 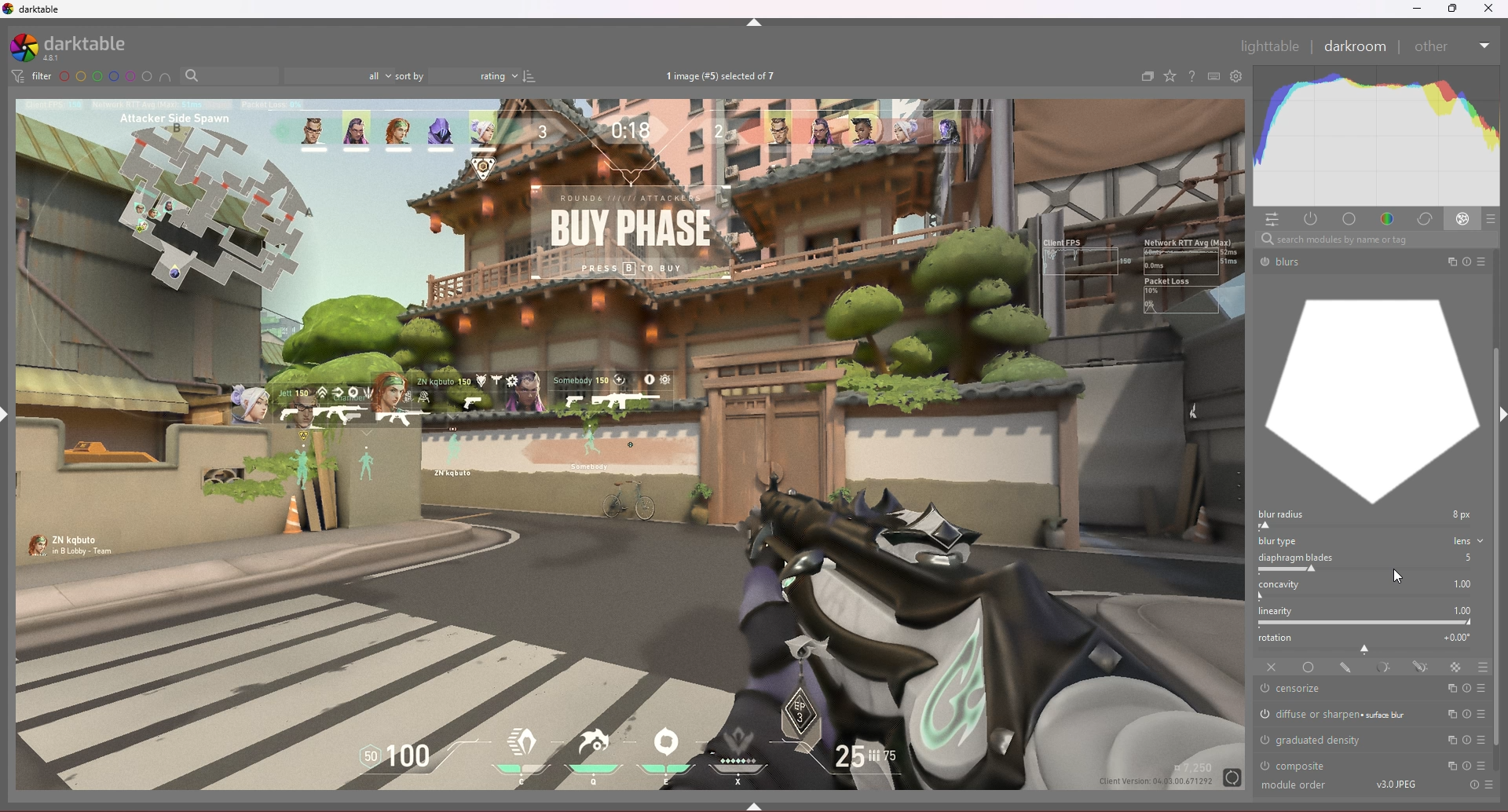 I want to click on multi instances actions, so click(x=1449, y=715).